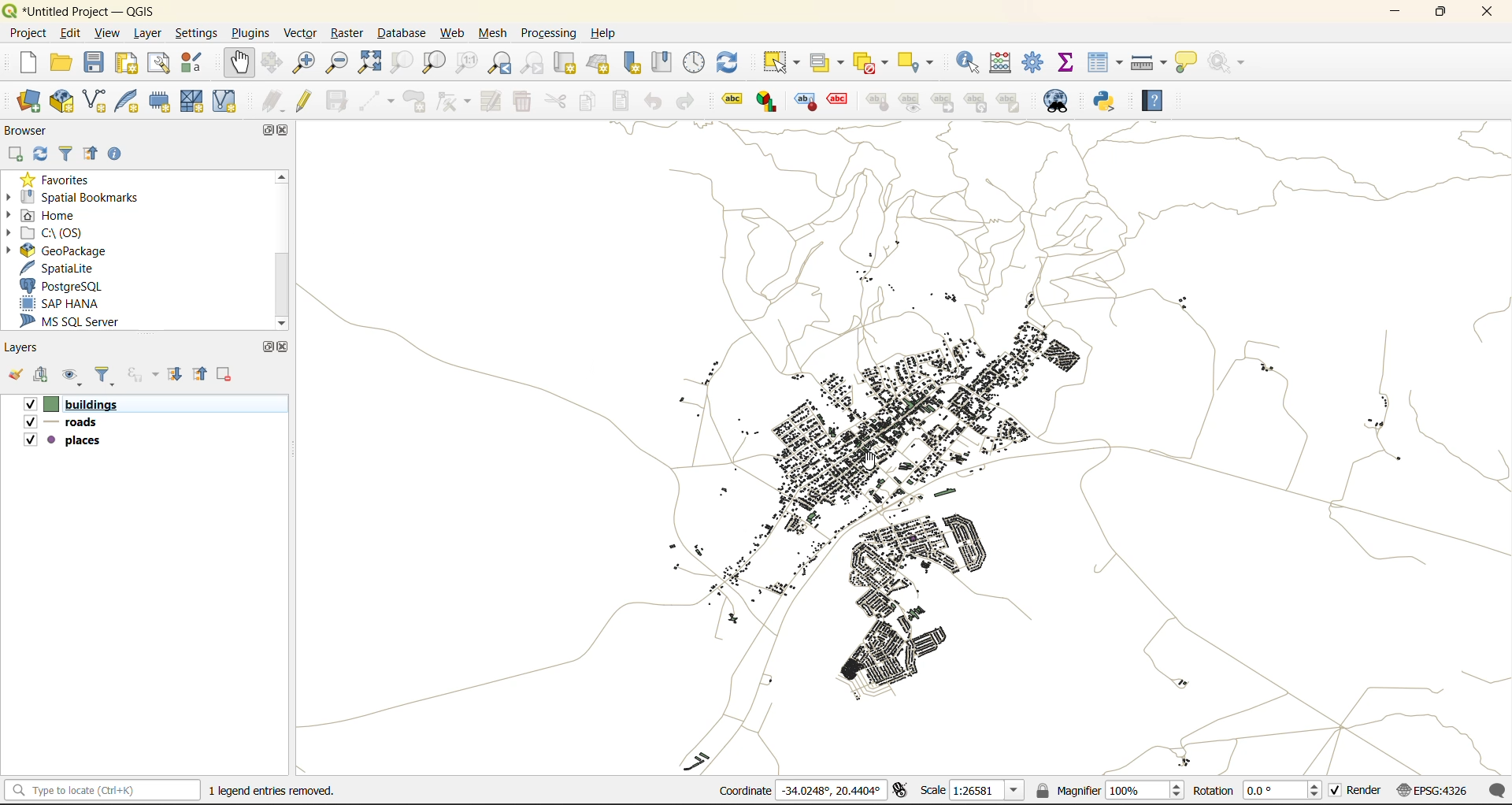 This screenshot has width=1512, height=805. I want to click on edits, so click(272, 99).